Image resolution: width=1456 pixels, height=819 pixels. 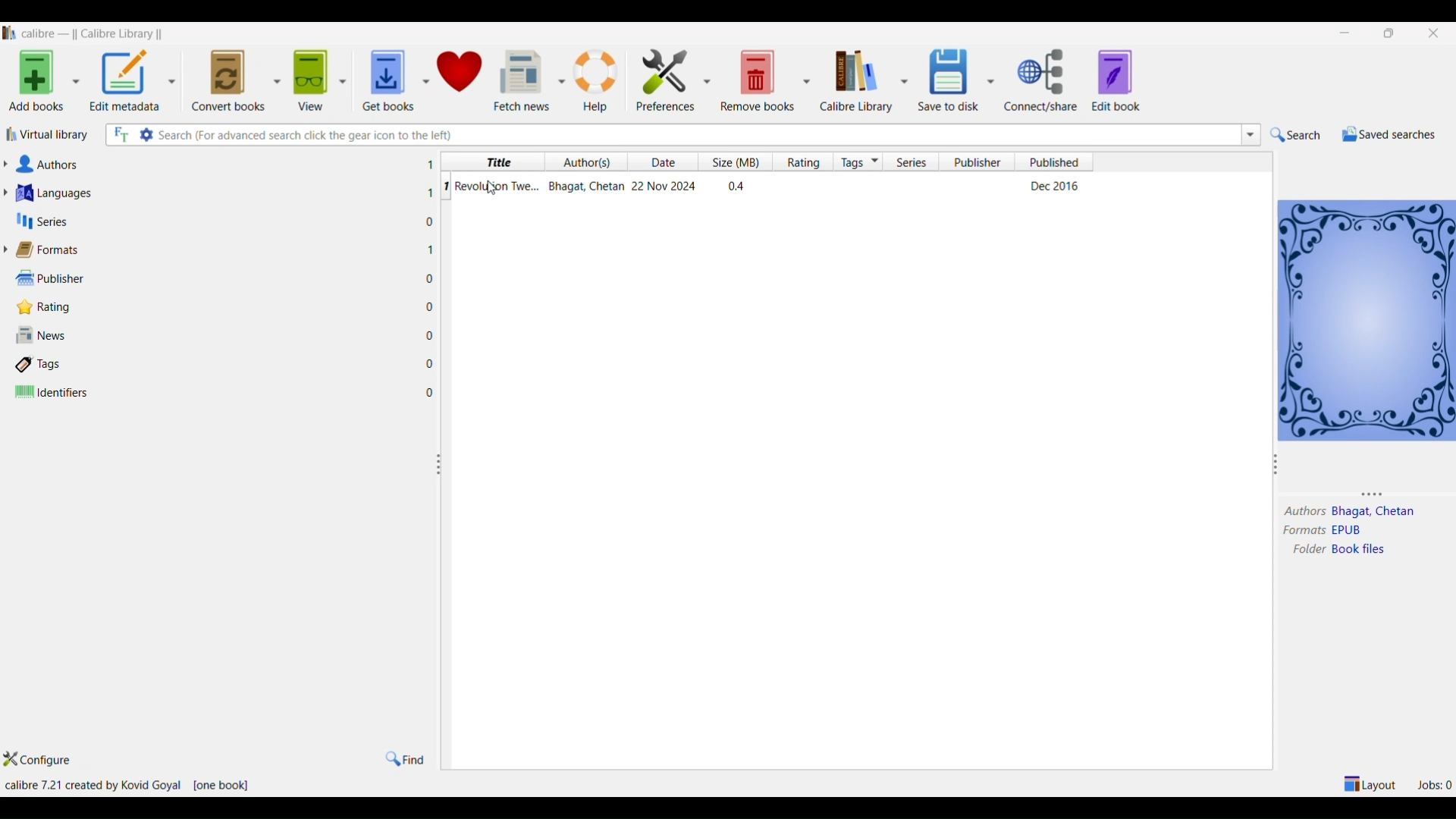 What do you see at coordinates (1371, 783) in the screenshot?
I see `layout` at bounding box center [1371, 783].